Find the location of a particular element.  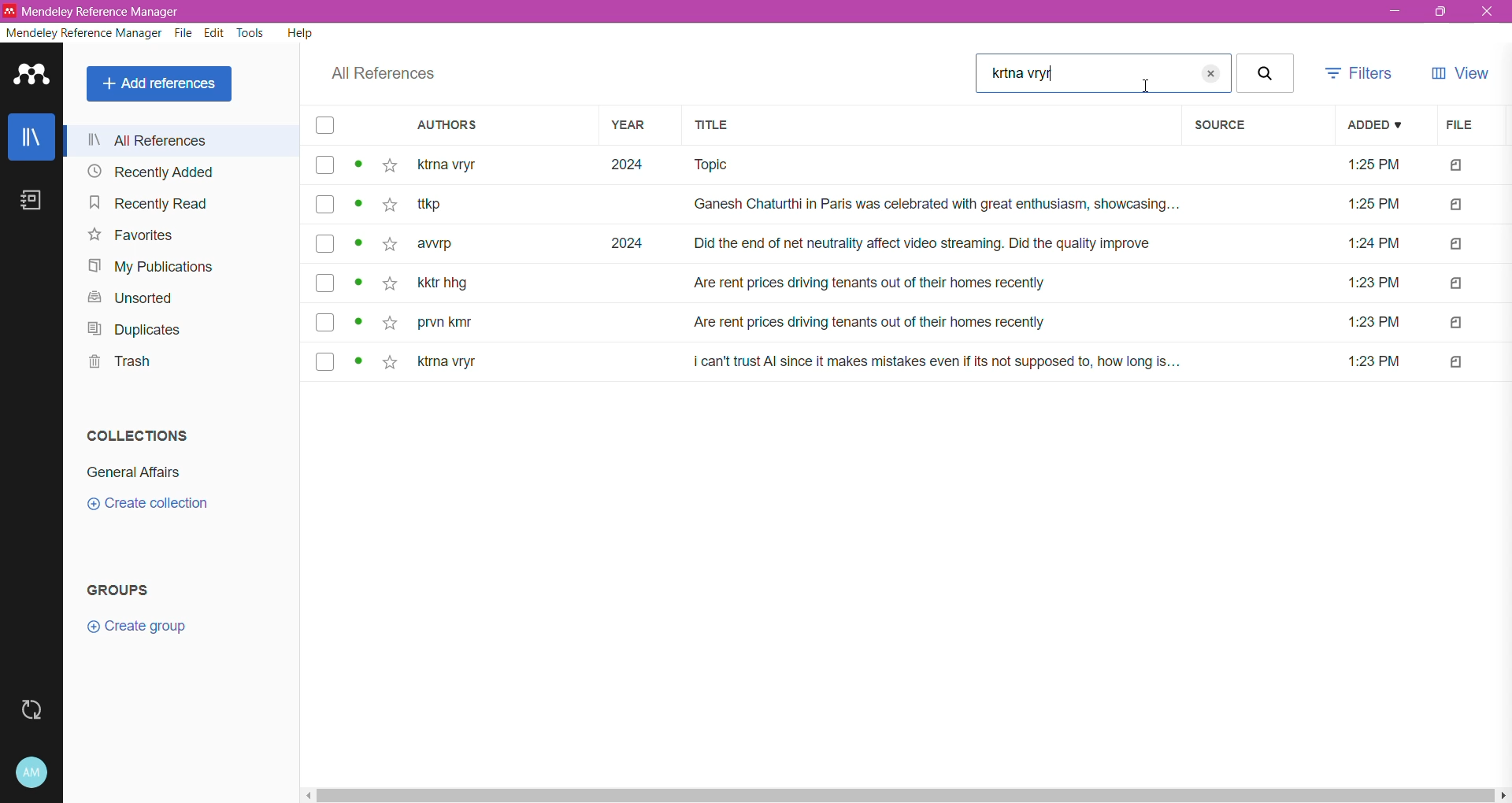

Restore Down is located at coordinates (1443, 13).